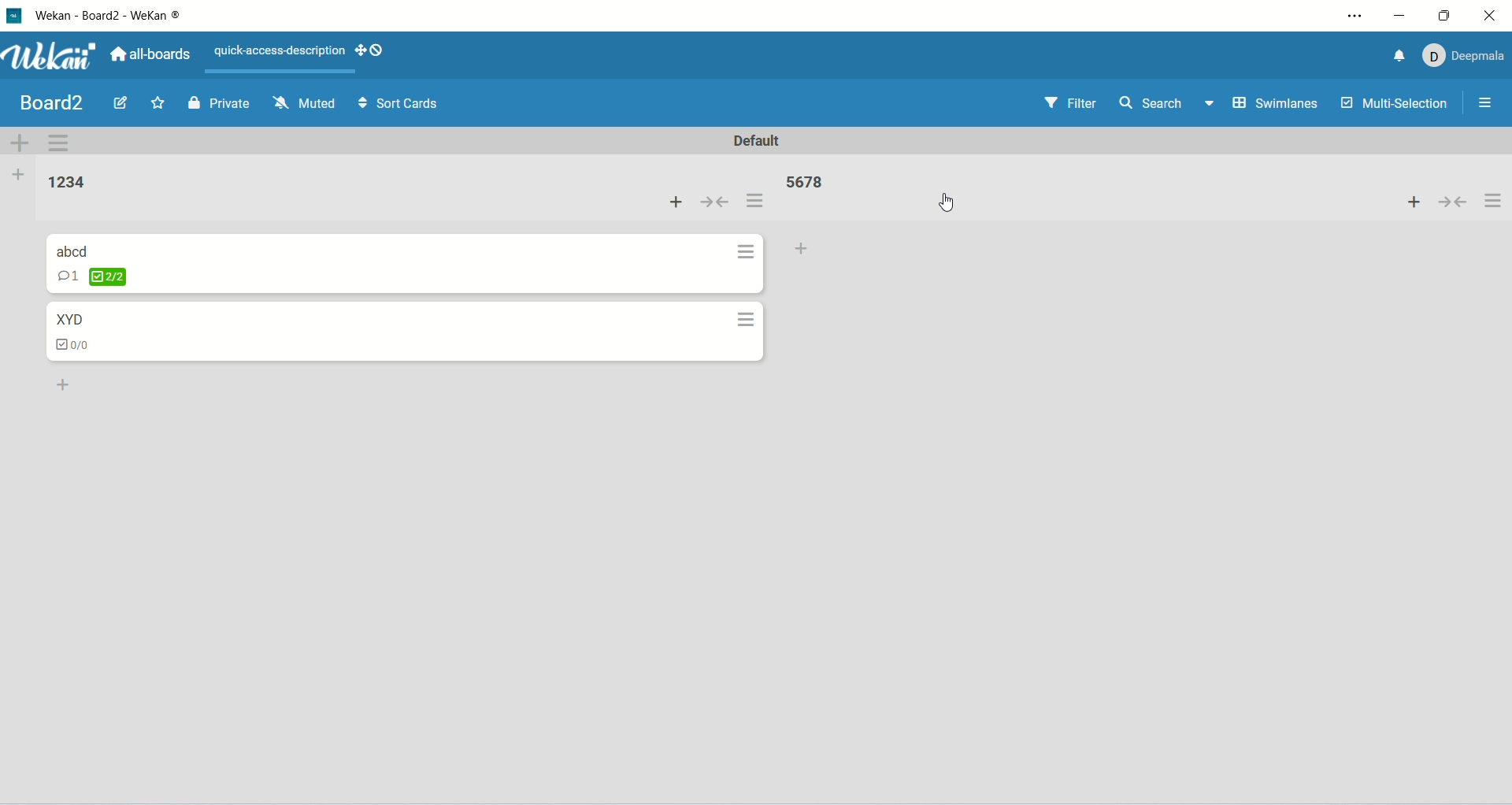 The width and height of the screenshot is (1512, 805). I want to click on add, so click(1410, 205).